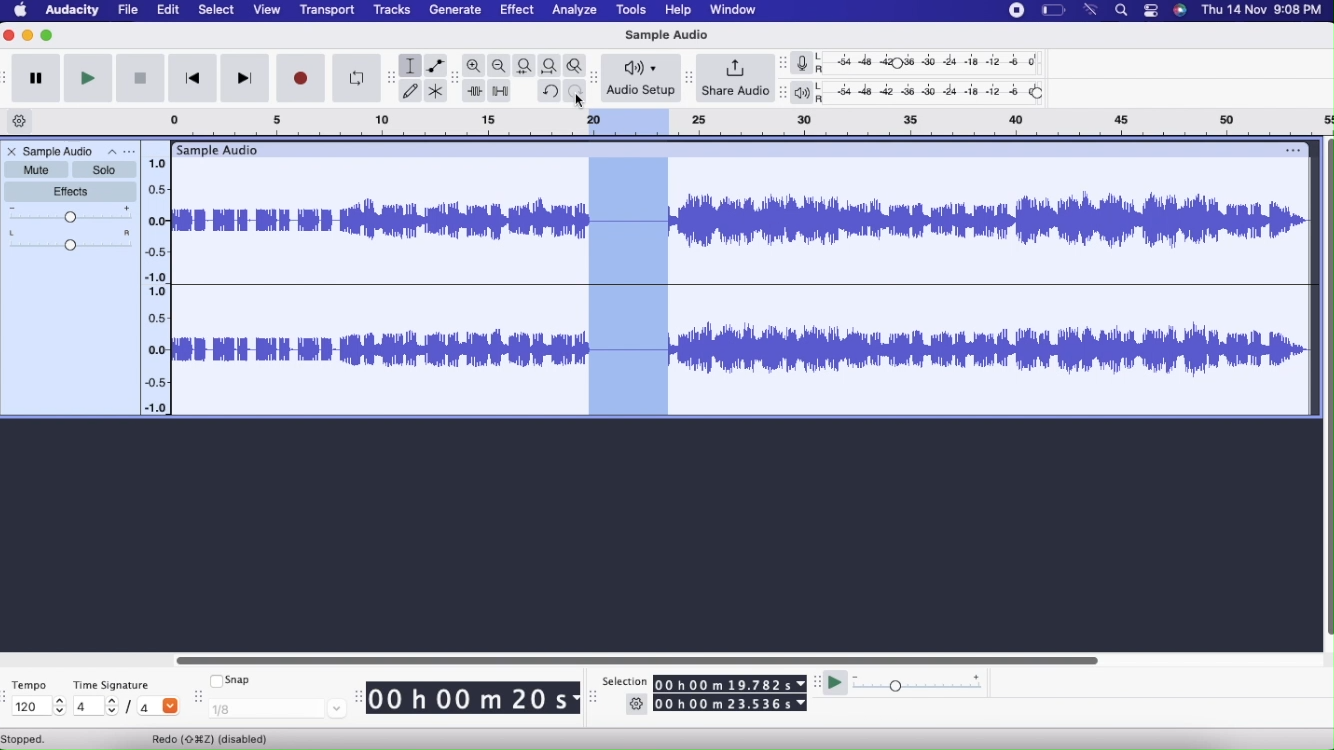  I want to click on Redo, so click(575, 91).